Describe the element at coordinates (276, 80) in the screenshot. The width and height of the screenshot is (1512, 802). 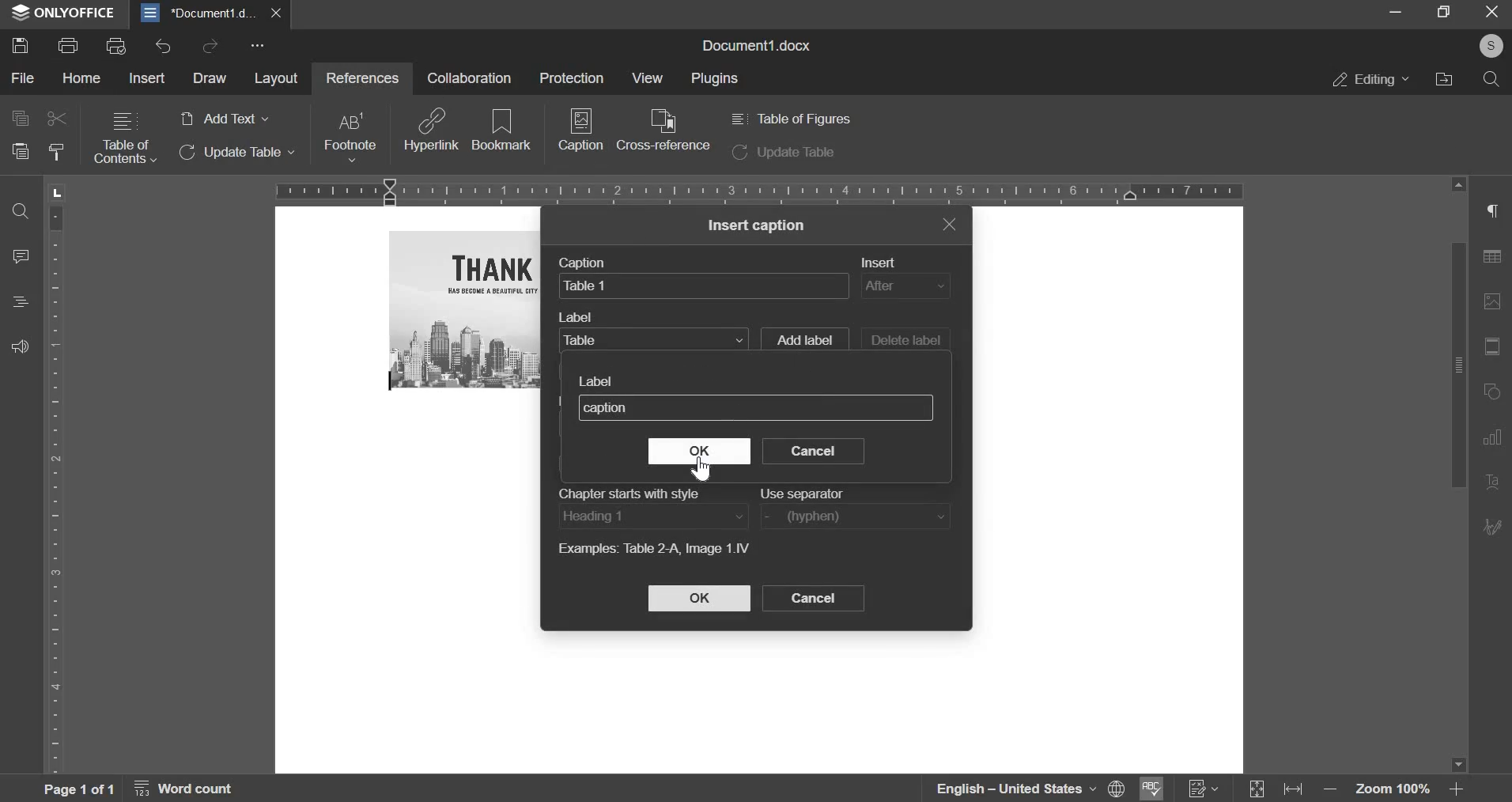
I see `layout` at that location.